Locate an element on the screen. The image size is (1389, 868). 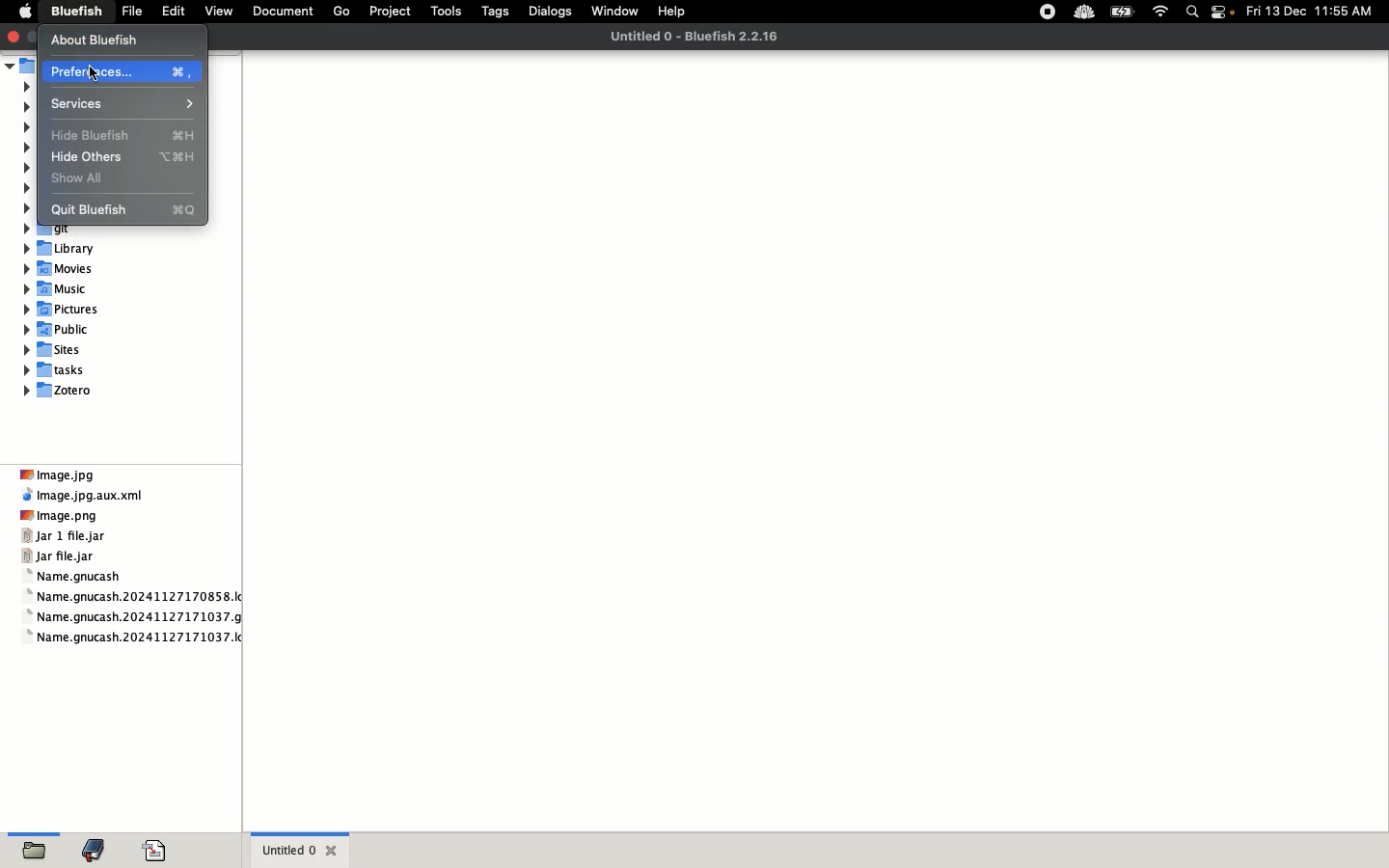
saved is located at coordinates (159, 843).